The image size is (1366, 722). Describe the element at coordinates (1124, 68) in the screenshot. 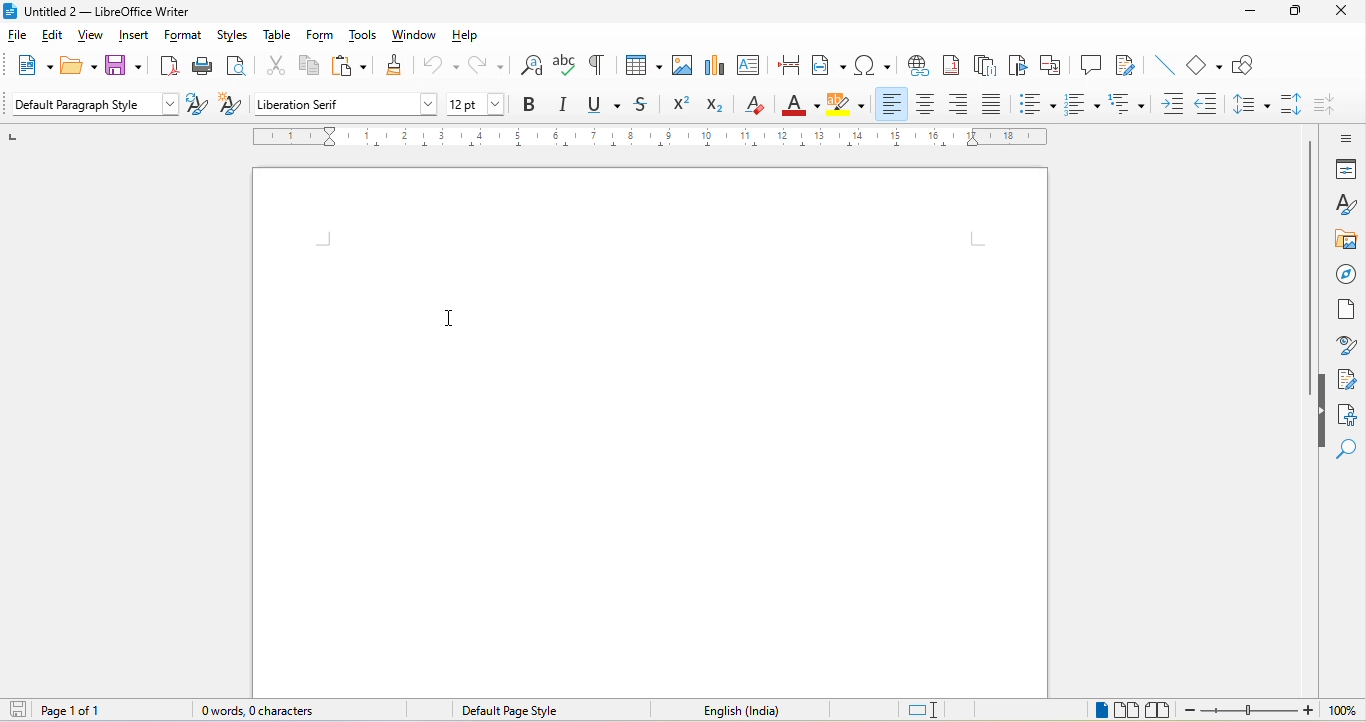

I see `track change functions` at that location.